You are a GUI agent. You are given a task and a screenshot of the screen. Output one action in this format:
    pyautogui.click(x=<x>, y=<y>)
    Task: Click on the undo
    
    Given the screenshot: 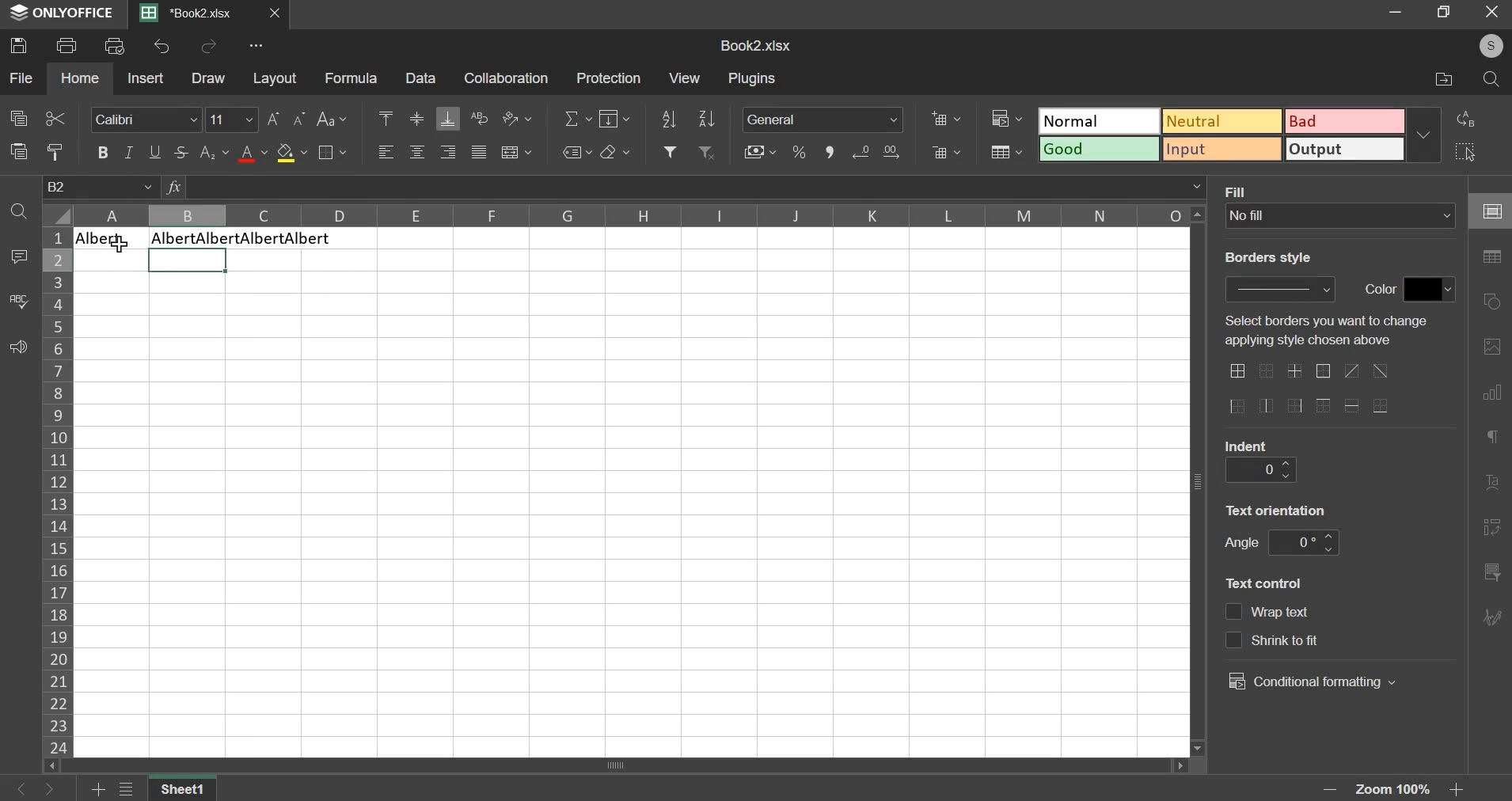 What is the action you would take?
    pyautogui.click(x=164, y=46)
    